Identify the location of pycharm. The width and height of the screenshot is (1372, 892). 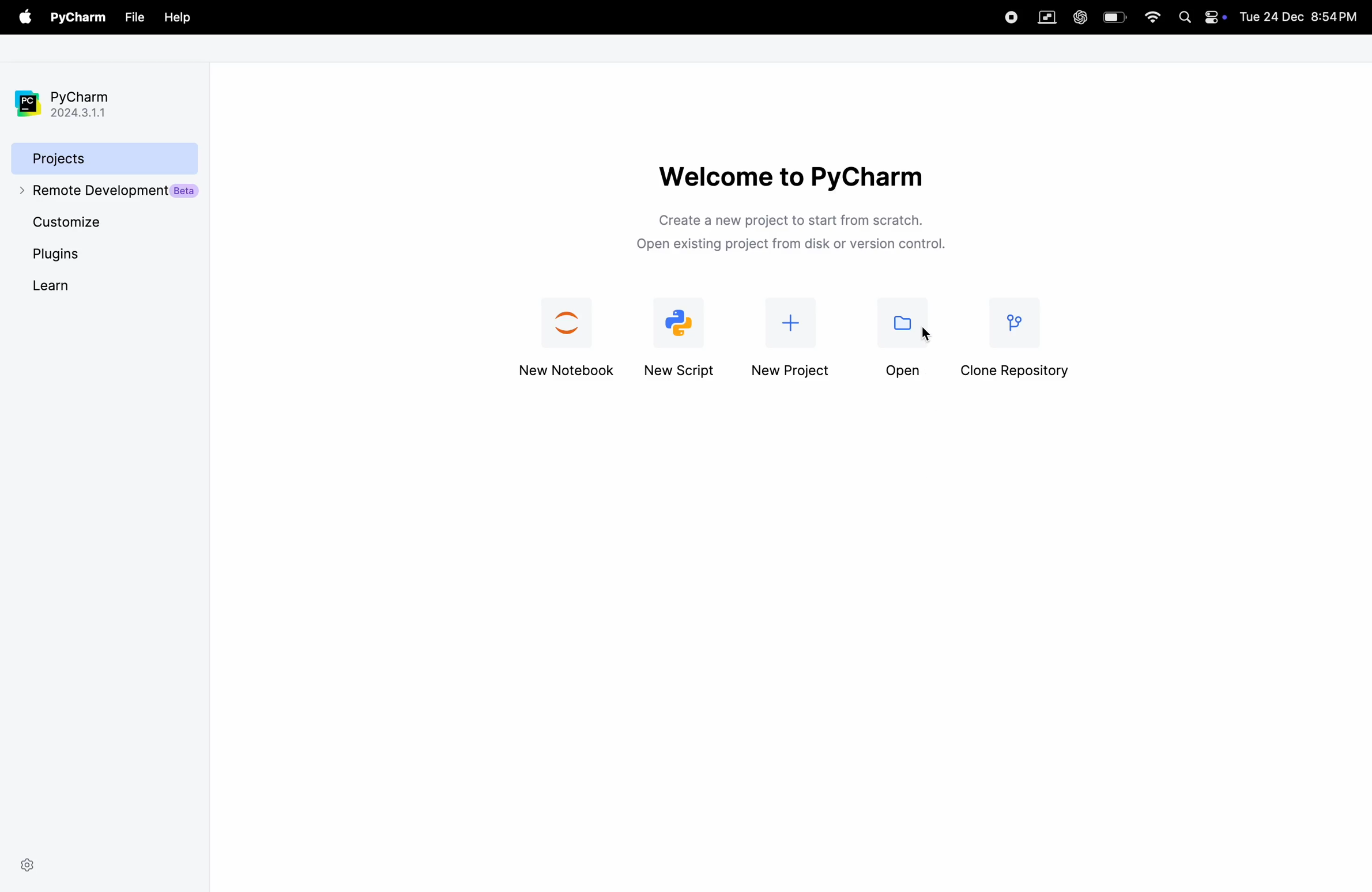
(78, 18).